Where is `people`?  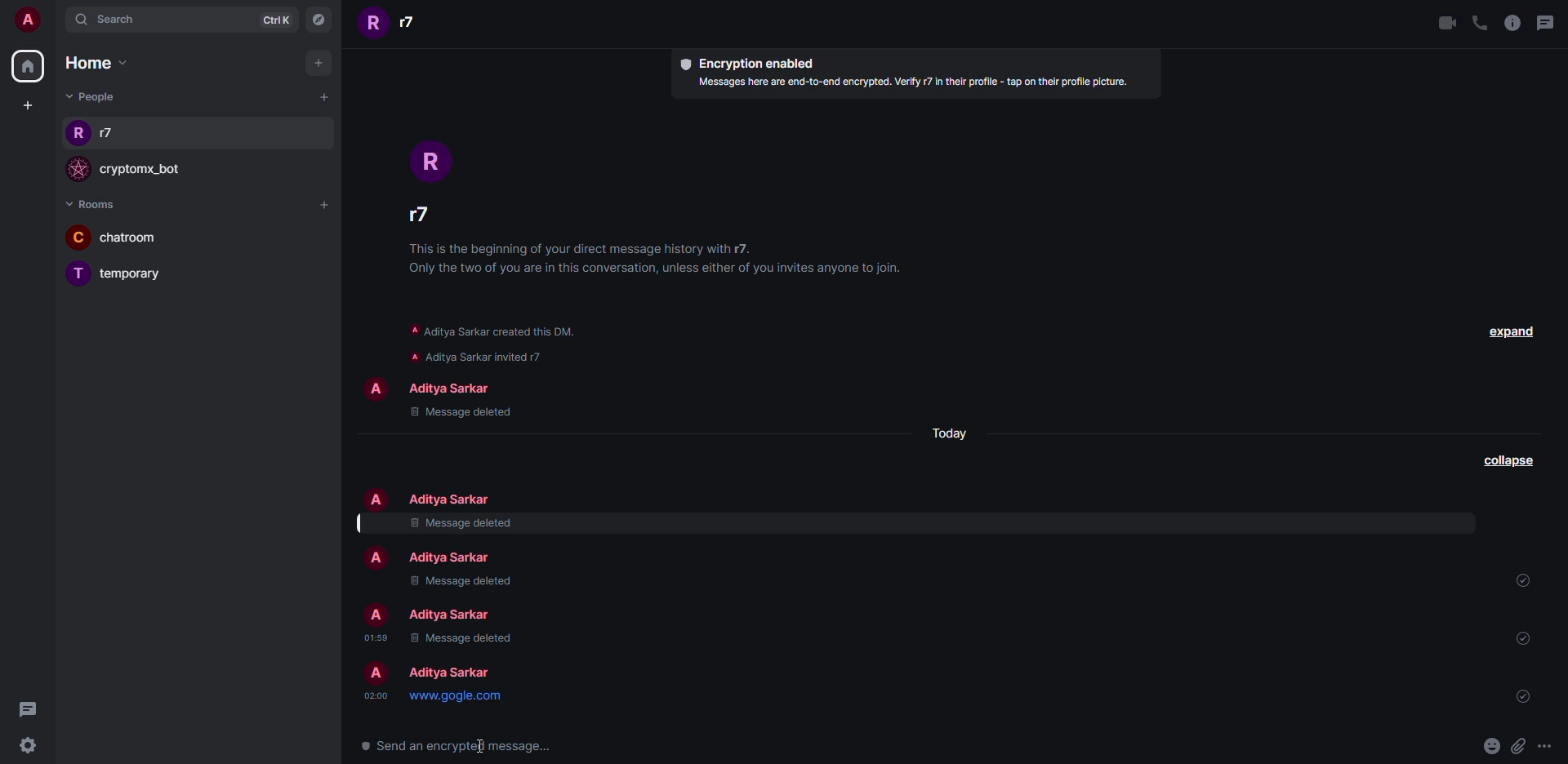 people is located at coordinates (423, 214).